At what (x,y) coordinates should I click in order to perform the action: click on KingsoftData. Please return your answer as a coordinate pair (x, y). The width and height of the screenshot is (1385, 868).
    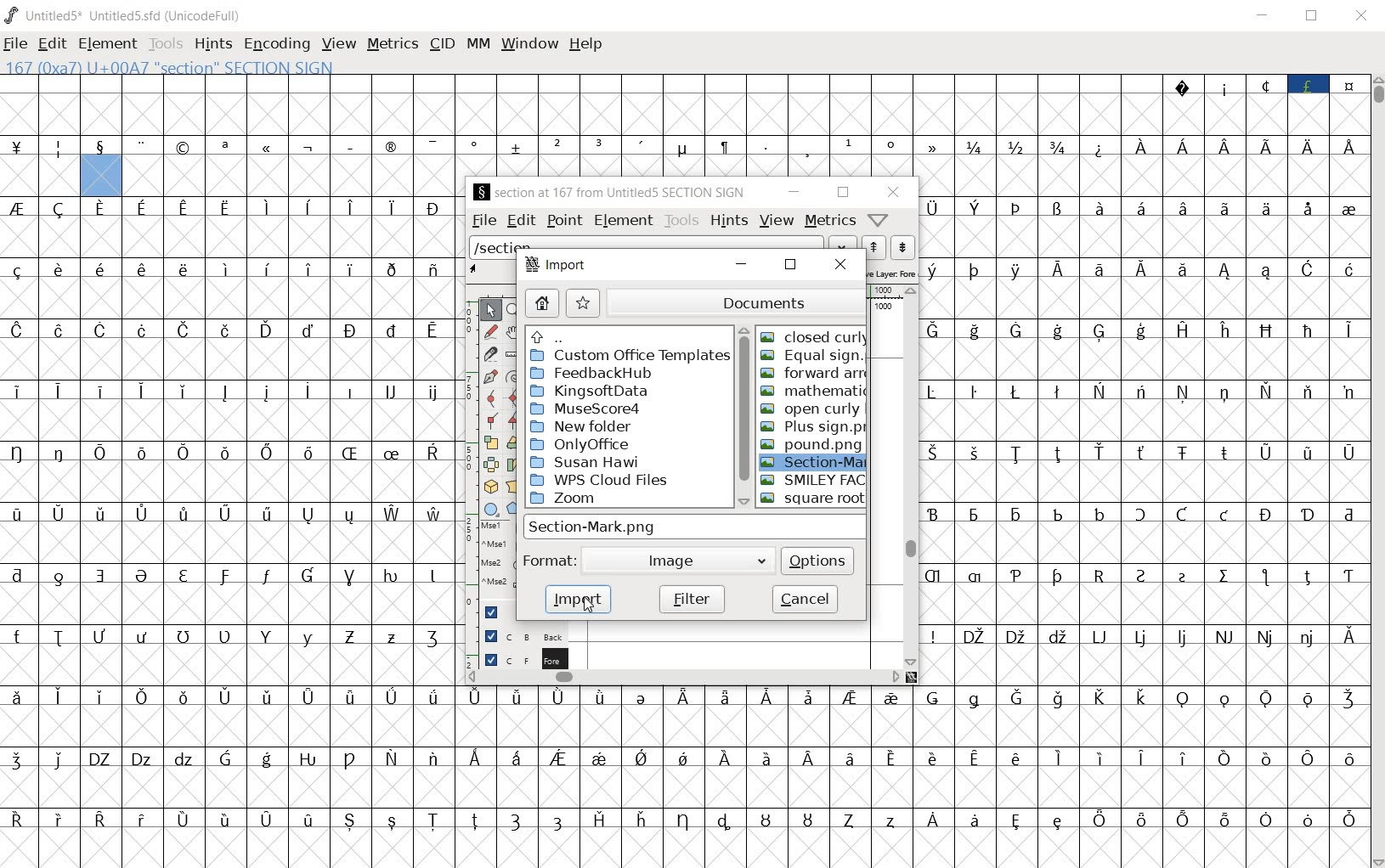
    Looking at the image, I should click on (590, 391).